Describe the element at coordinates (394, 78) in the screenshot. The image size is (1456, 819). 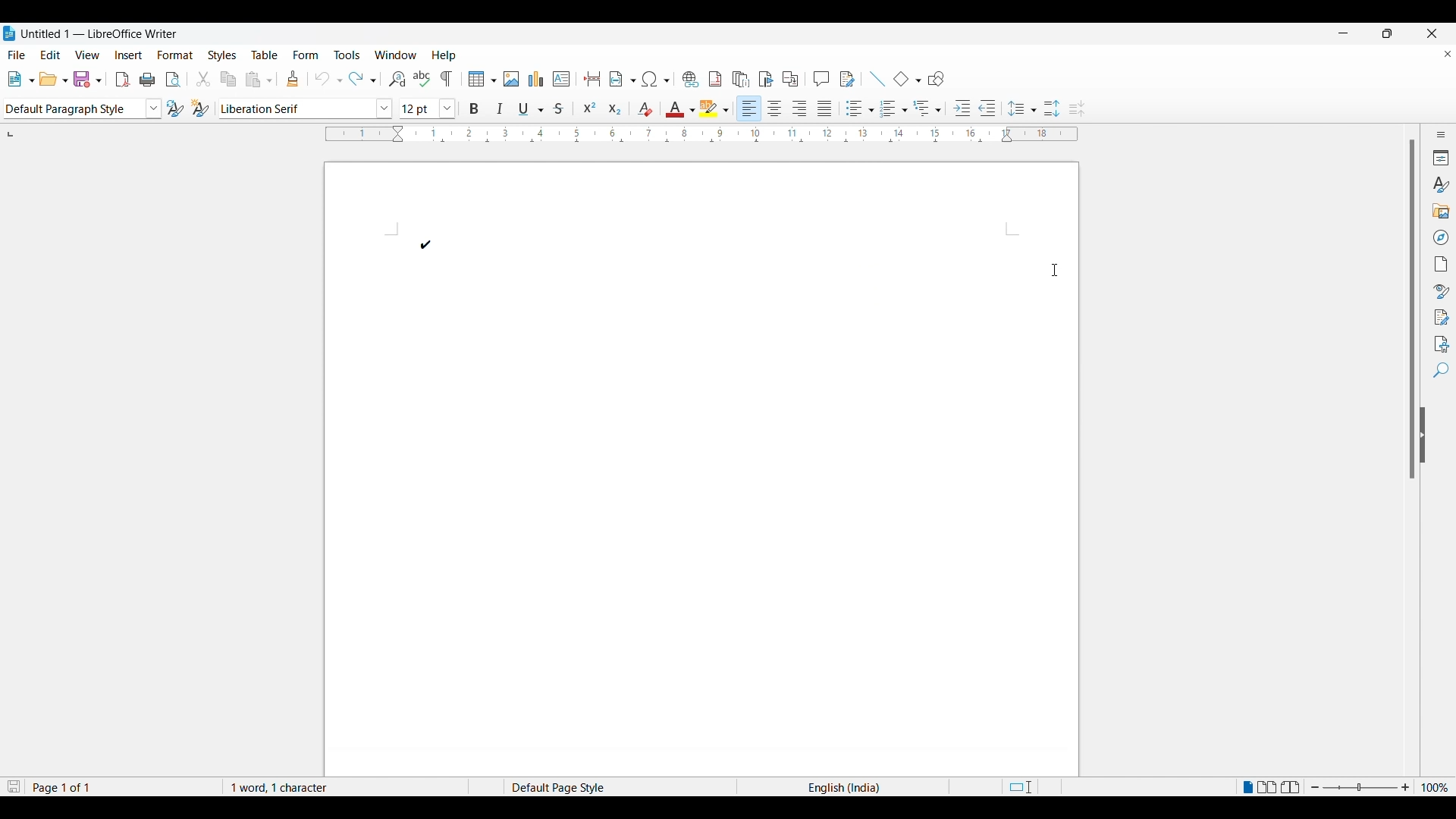
I see `find and replace` at that location.